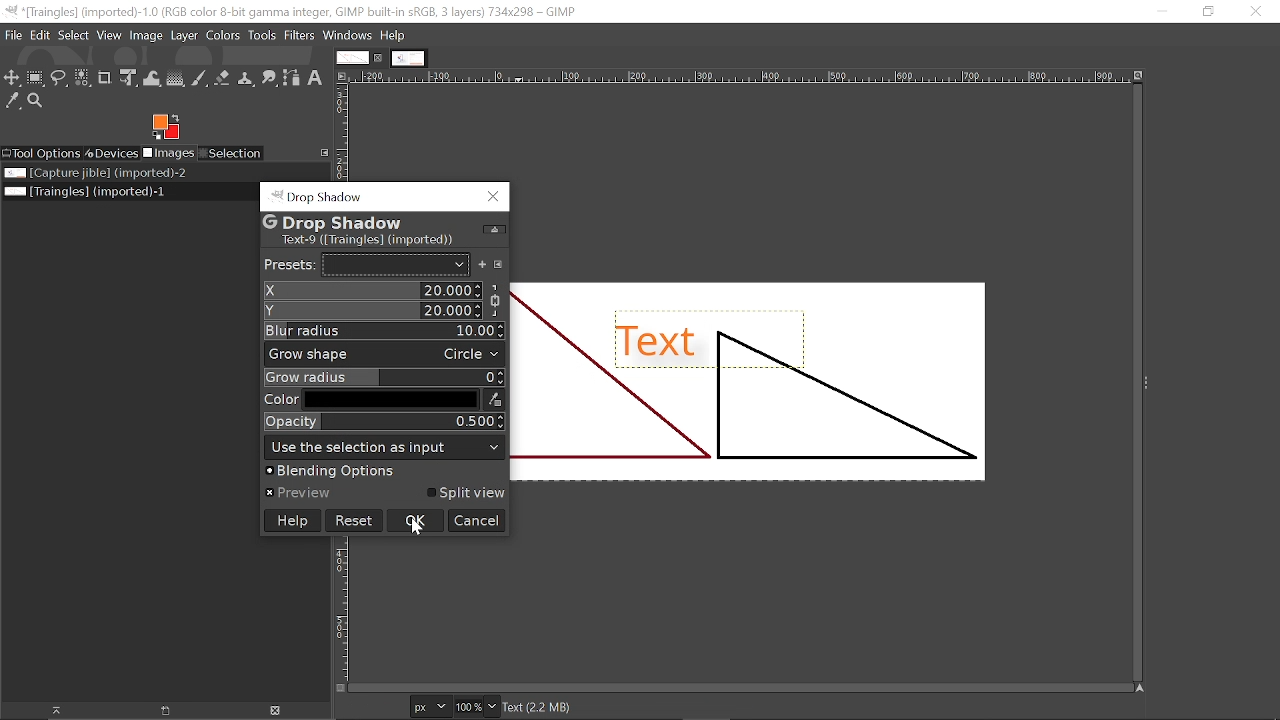 This screenshot has width=1280, height=720. Describe the element at coordinates (740, 77) in the screenshot. I see `Horizonta label` at that location.